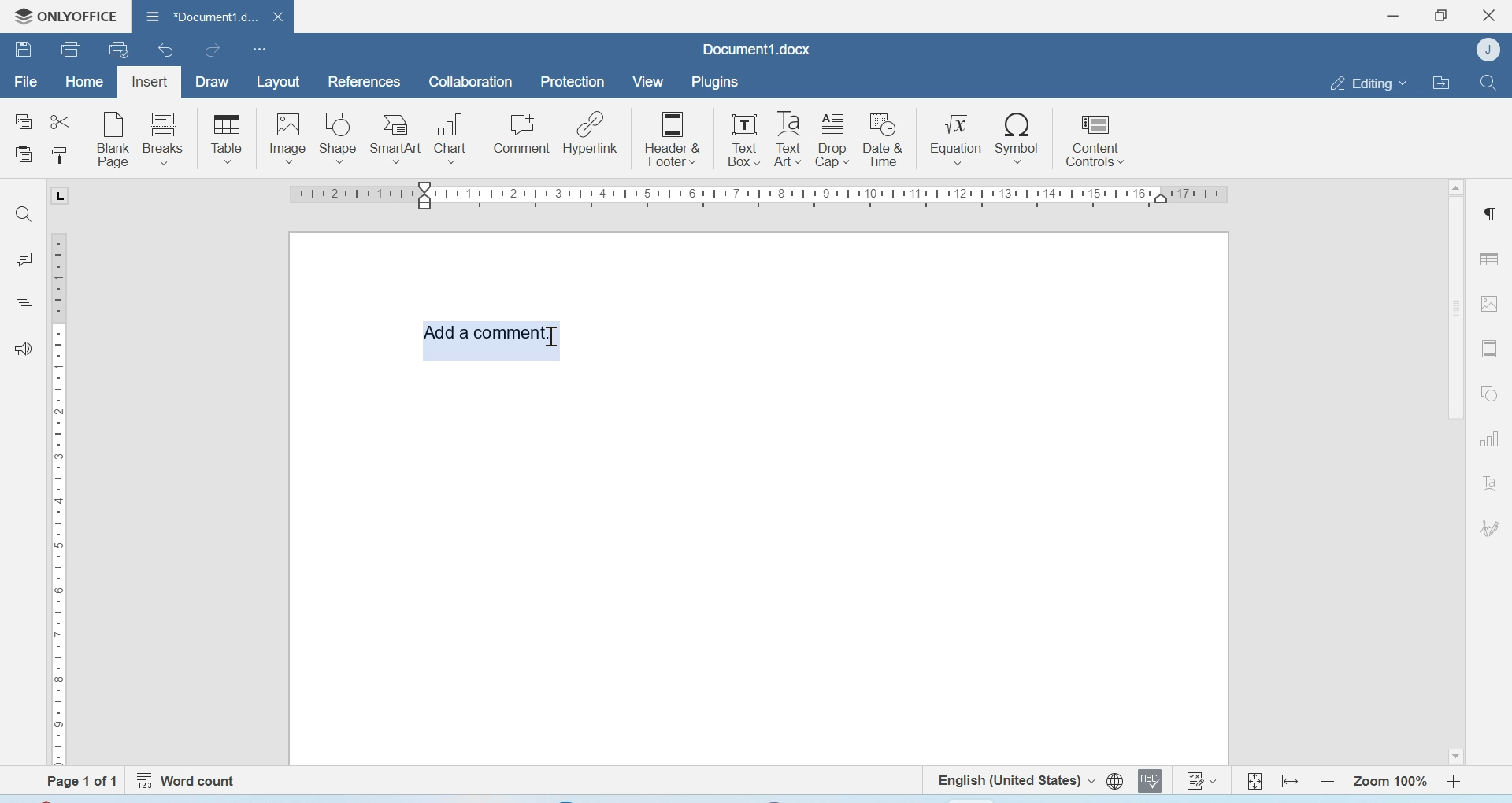 The image size is (1512, 803). What do you see at coordinates (884, 139) in the screenshot?
I see `Date & Time` at bounding box center [884, 139].